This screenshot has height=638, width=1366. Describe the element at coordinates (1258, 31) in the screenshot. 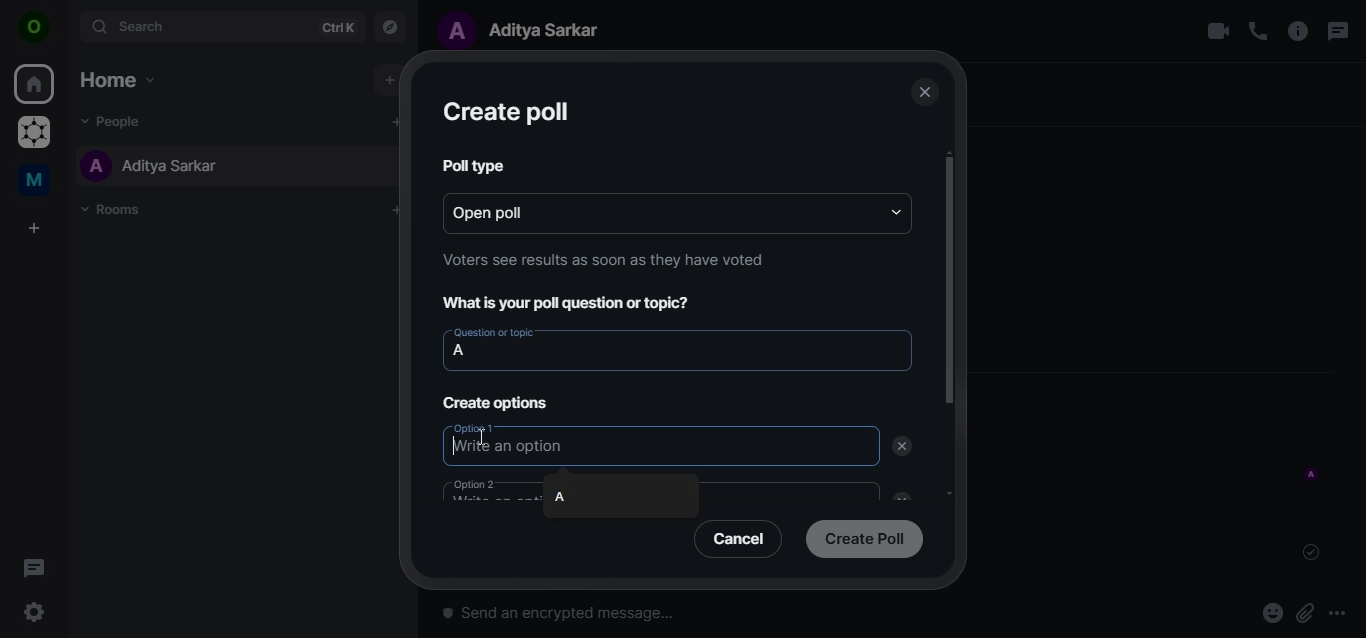

I see `voice call` at that location.